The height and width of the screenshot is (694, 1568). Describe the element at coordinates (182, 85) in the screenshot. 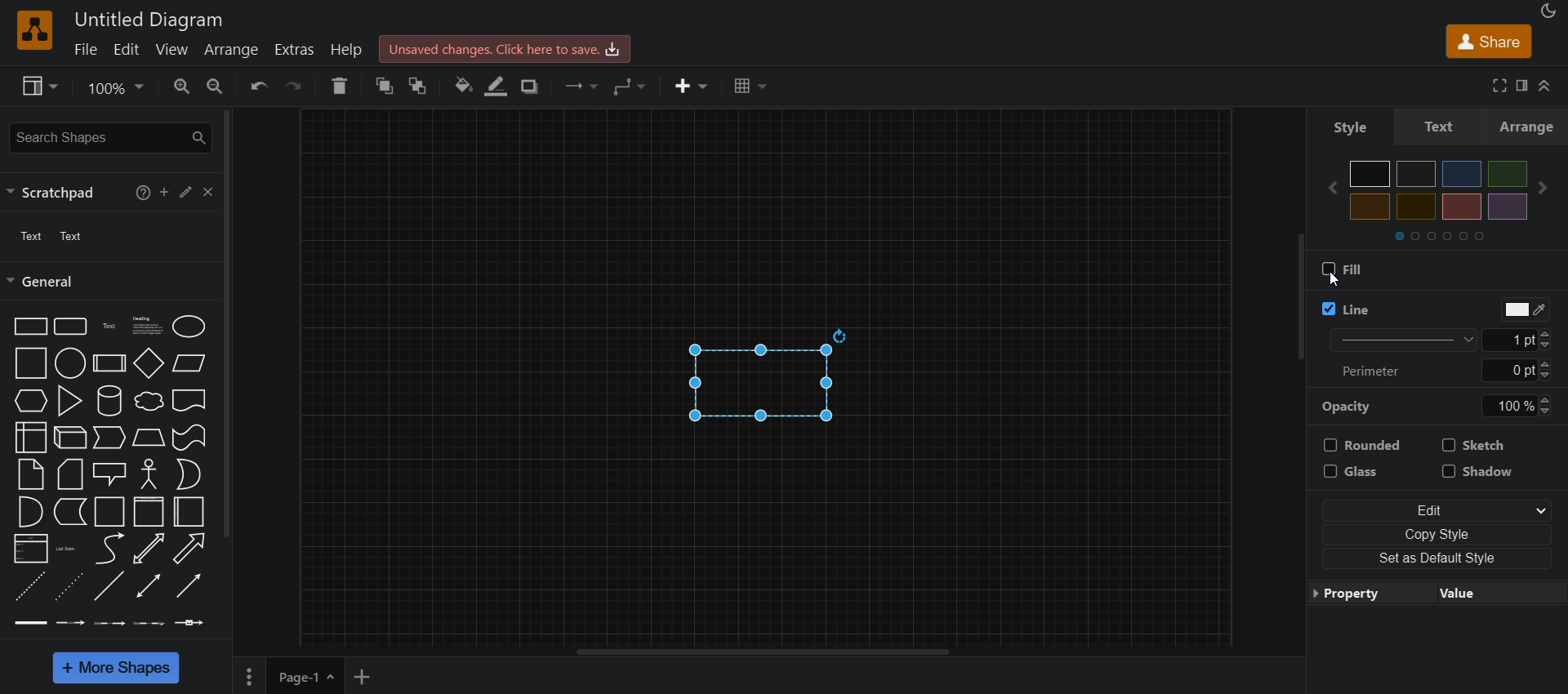

I see `zooom in` at that location.